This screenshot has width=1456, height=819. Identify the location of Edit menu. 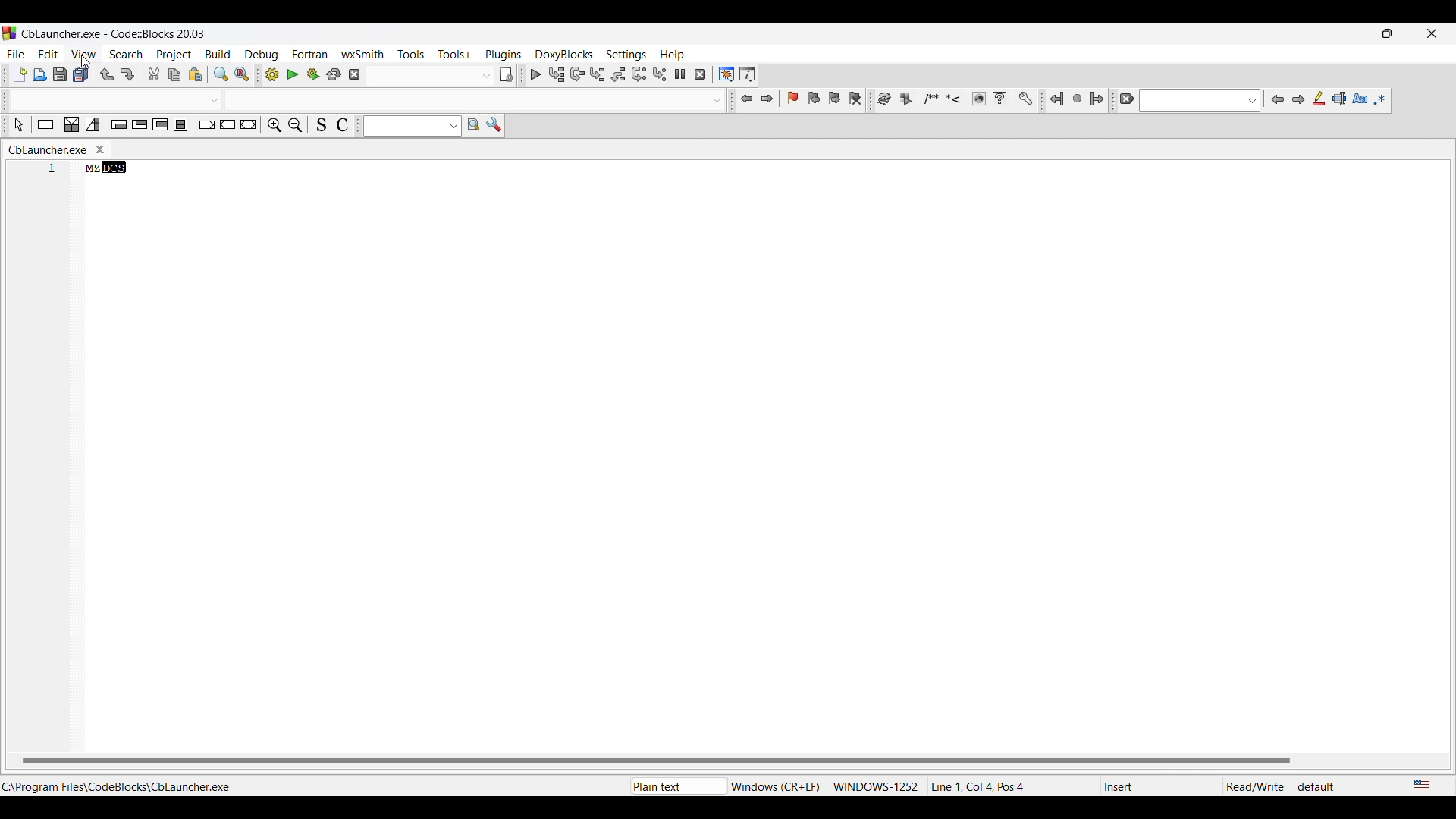
(48, 54).